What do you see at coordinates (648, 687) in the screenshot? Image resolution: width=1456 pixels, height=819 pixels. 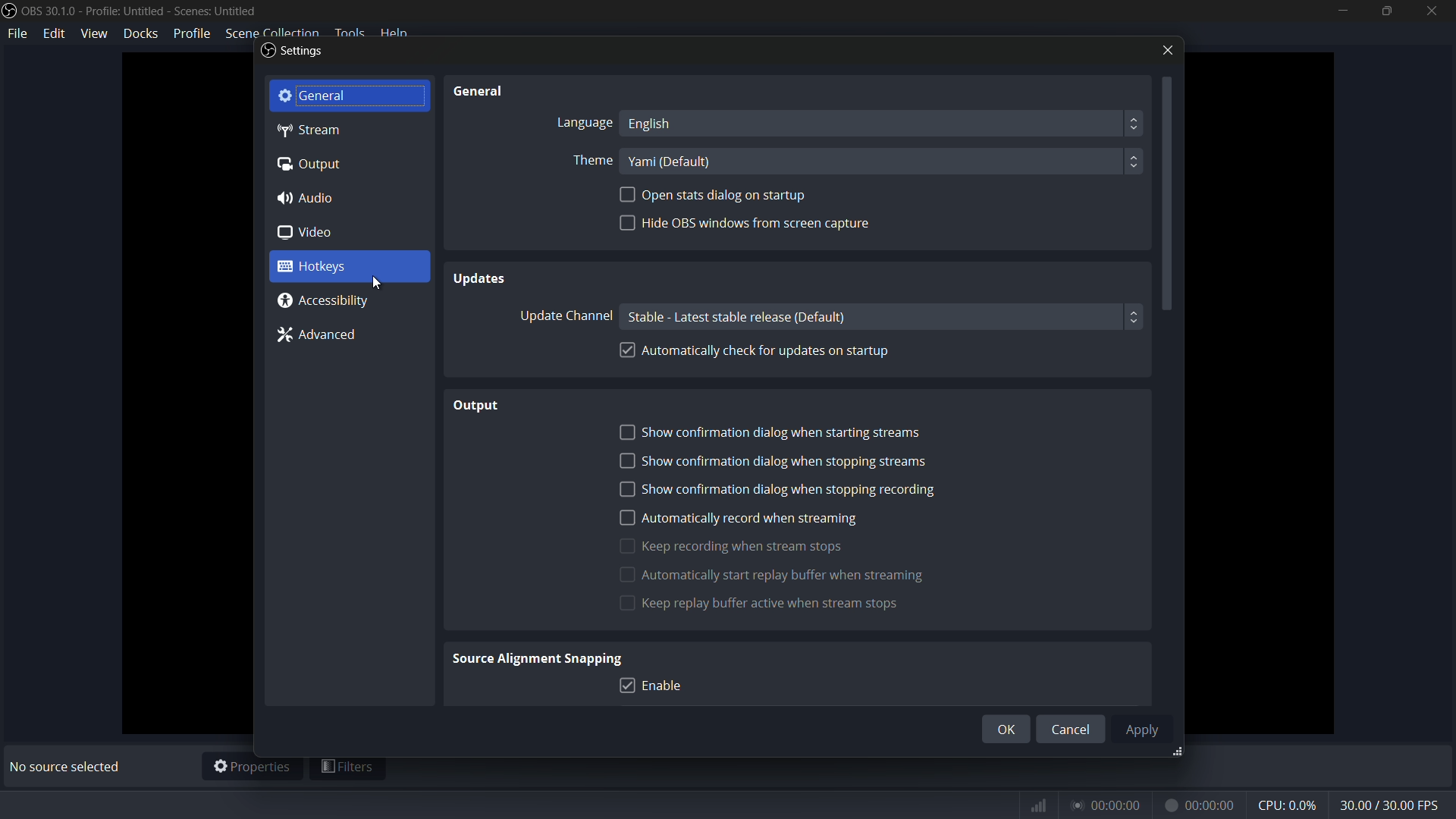 I see `enable` at bounding box center [648, 687].